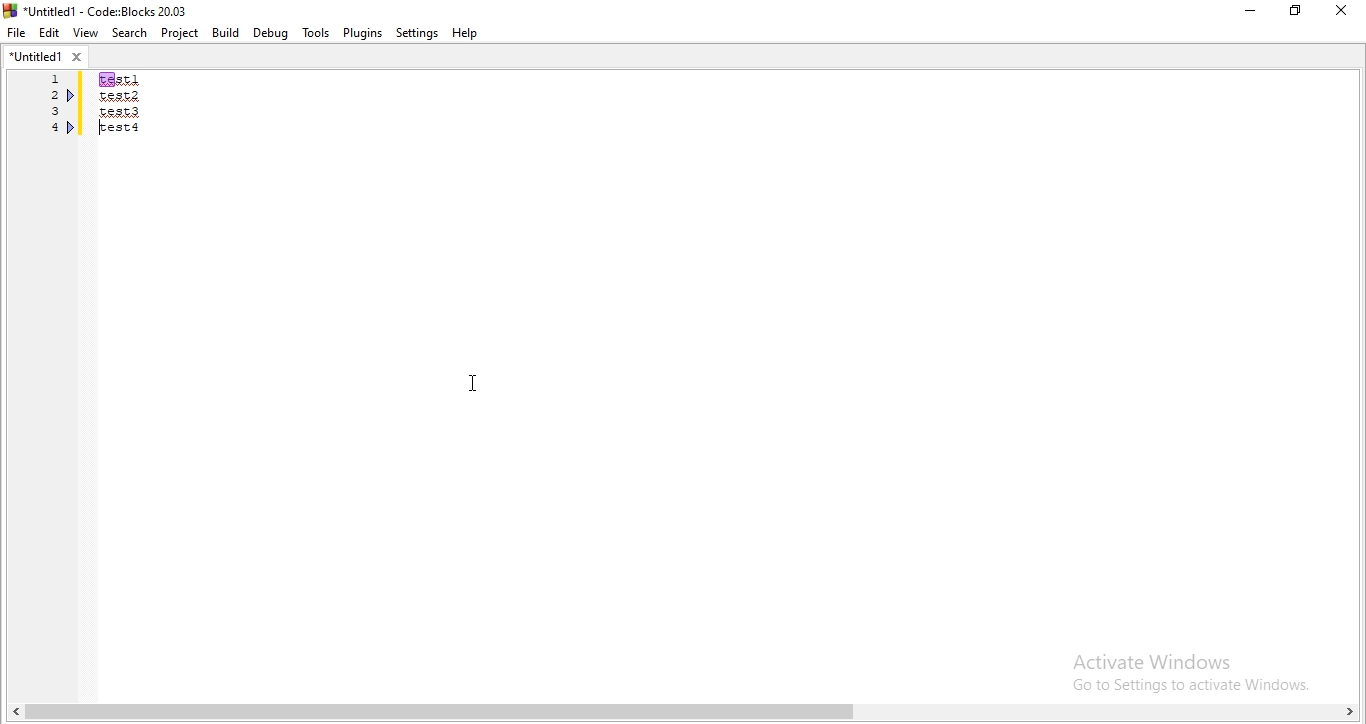  I want to click on Debugger Point, so click(72, 130).